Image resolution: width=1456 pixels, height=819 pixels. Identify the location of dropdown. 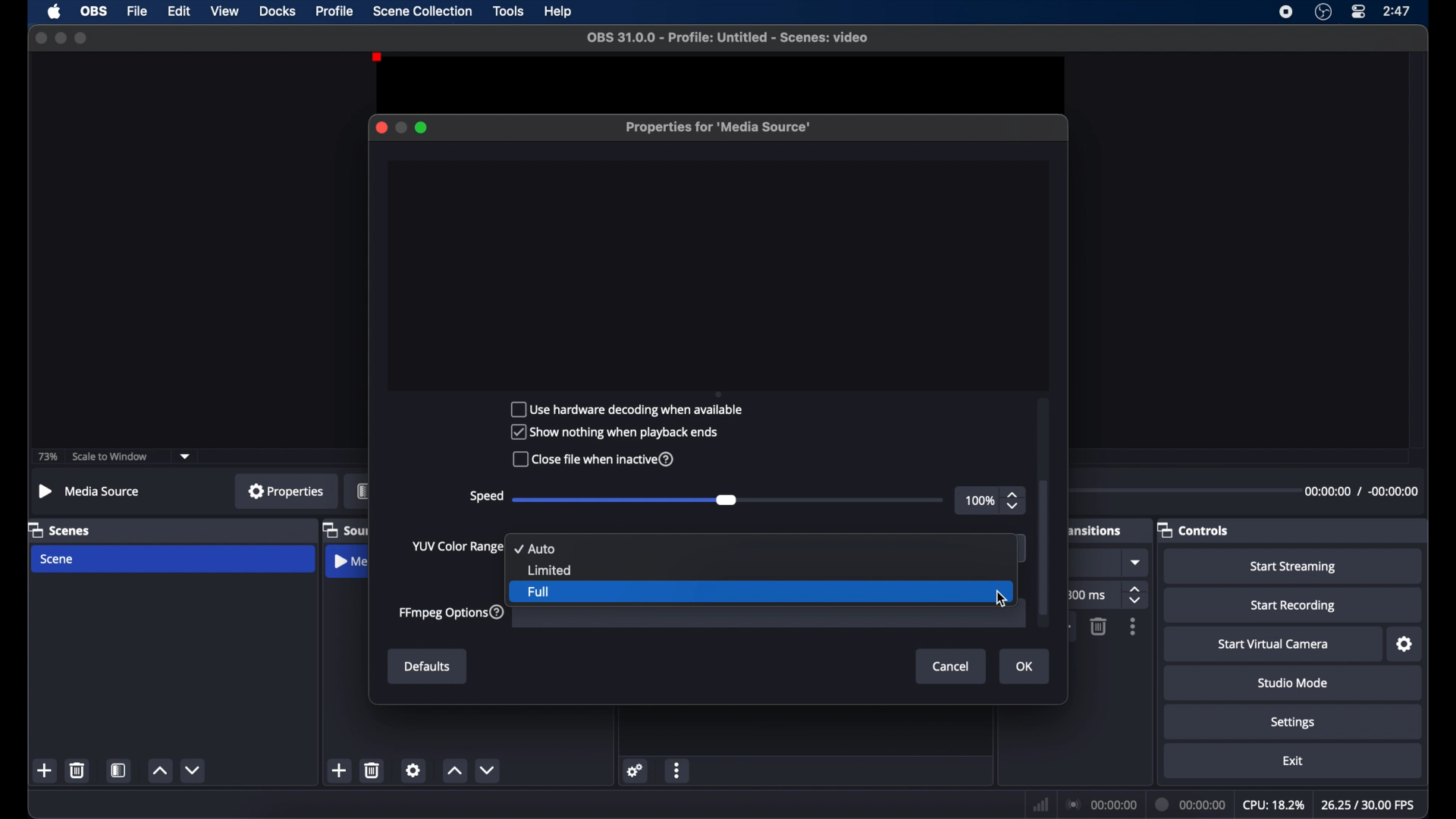
(186, 457).